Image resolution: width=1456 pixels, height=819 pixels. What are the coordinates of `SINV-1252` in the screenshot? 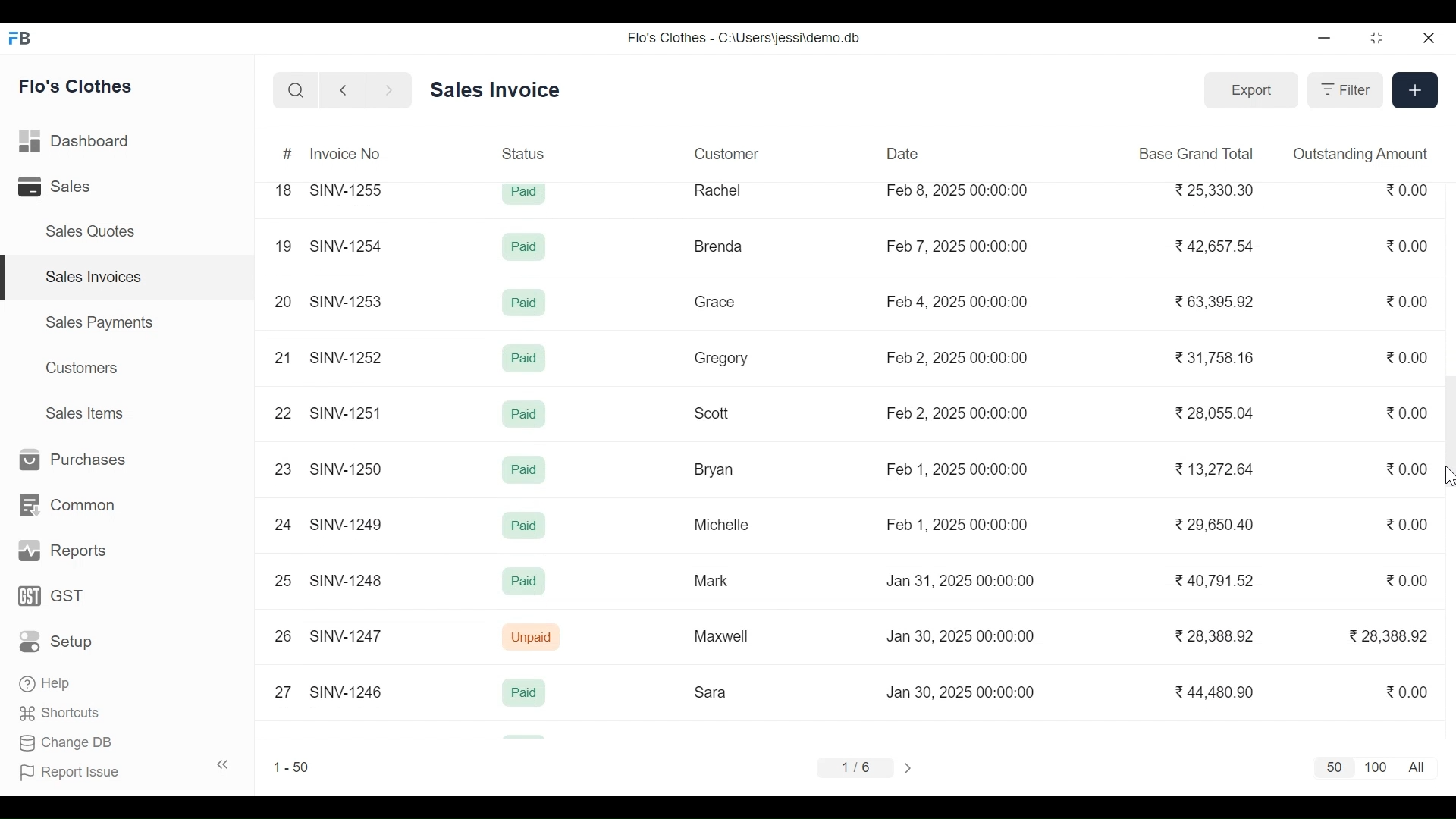 It's located at (348, 357).